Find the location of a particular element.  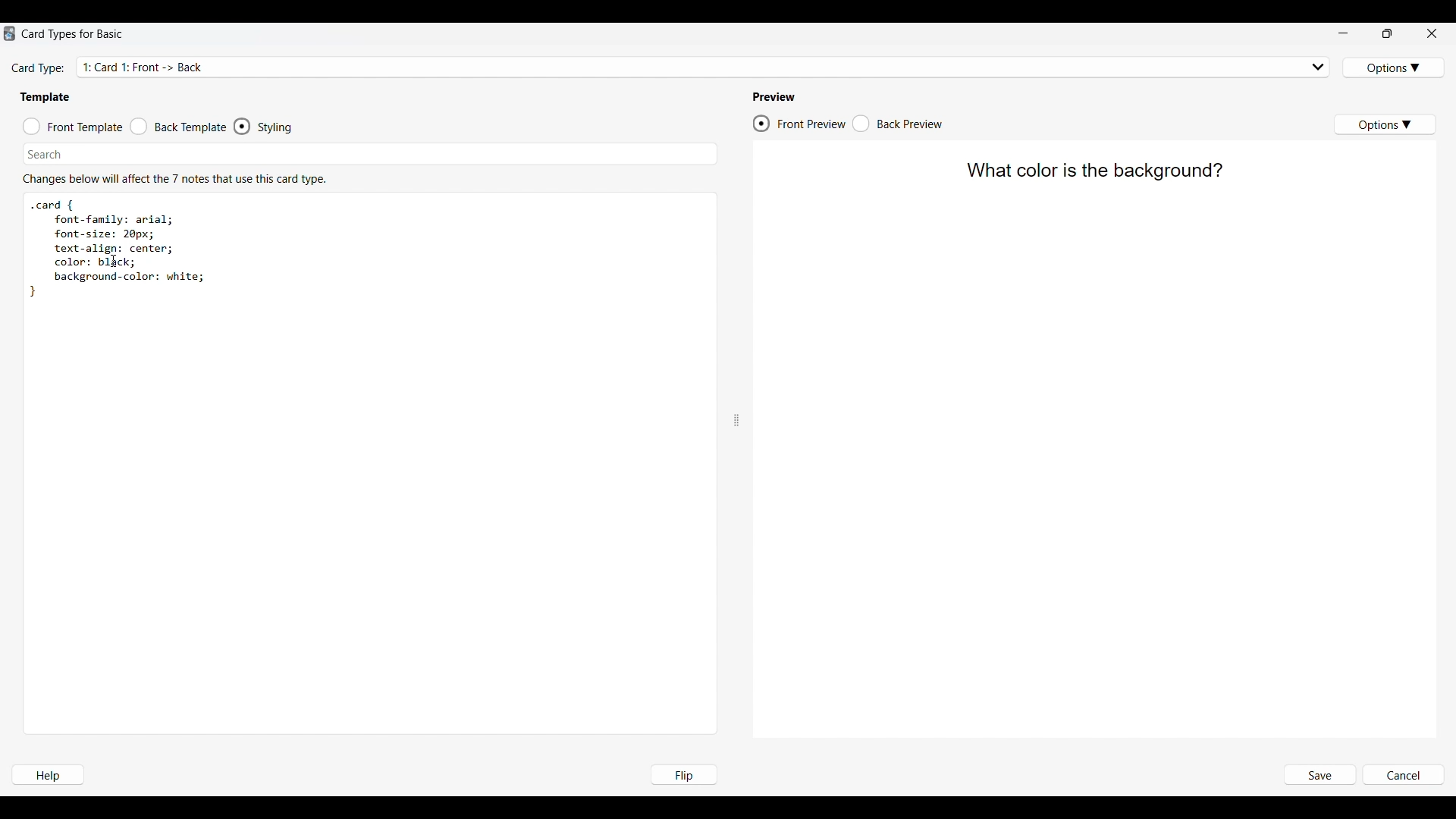

HTML text in card Styling is located at coordinates (117, 248).